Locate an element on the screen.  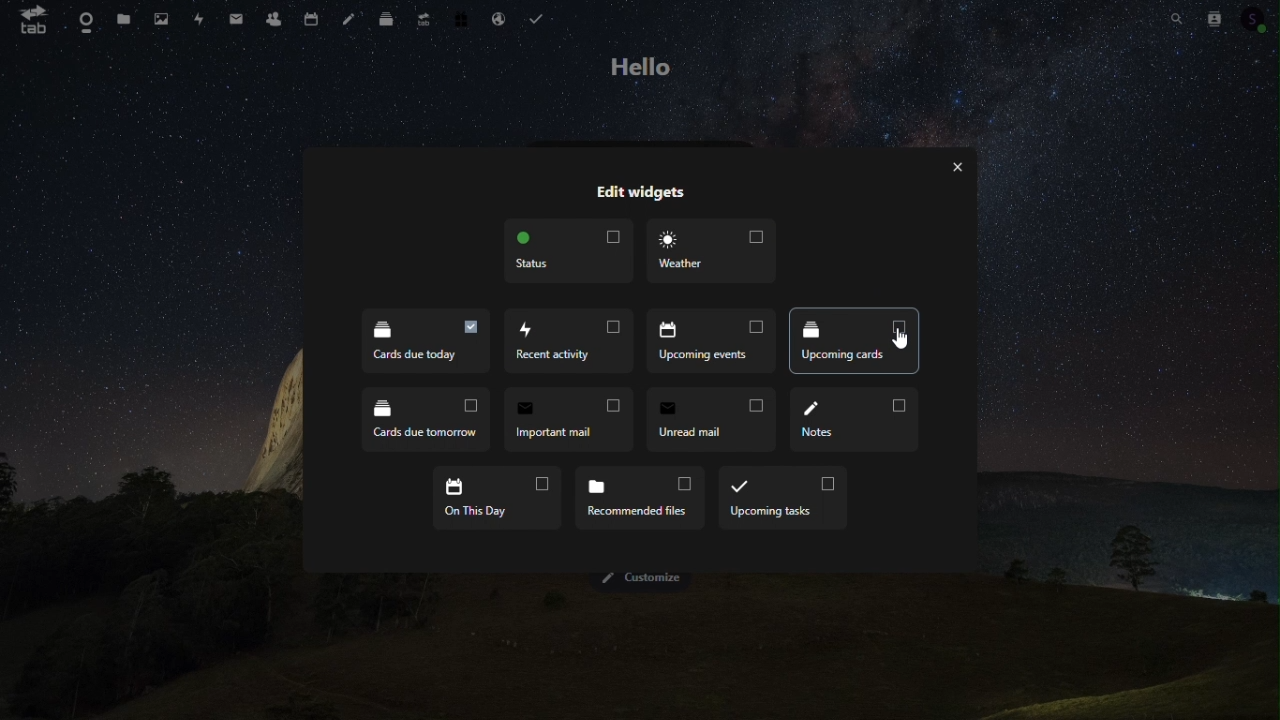
tab is located at coordinates (34, 22).